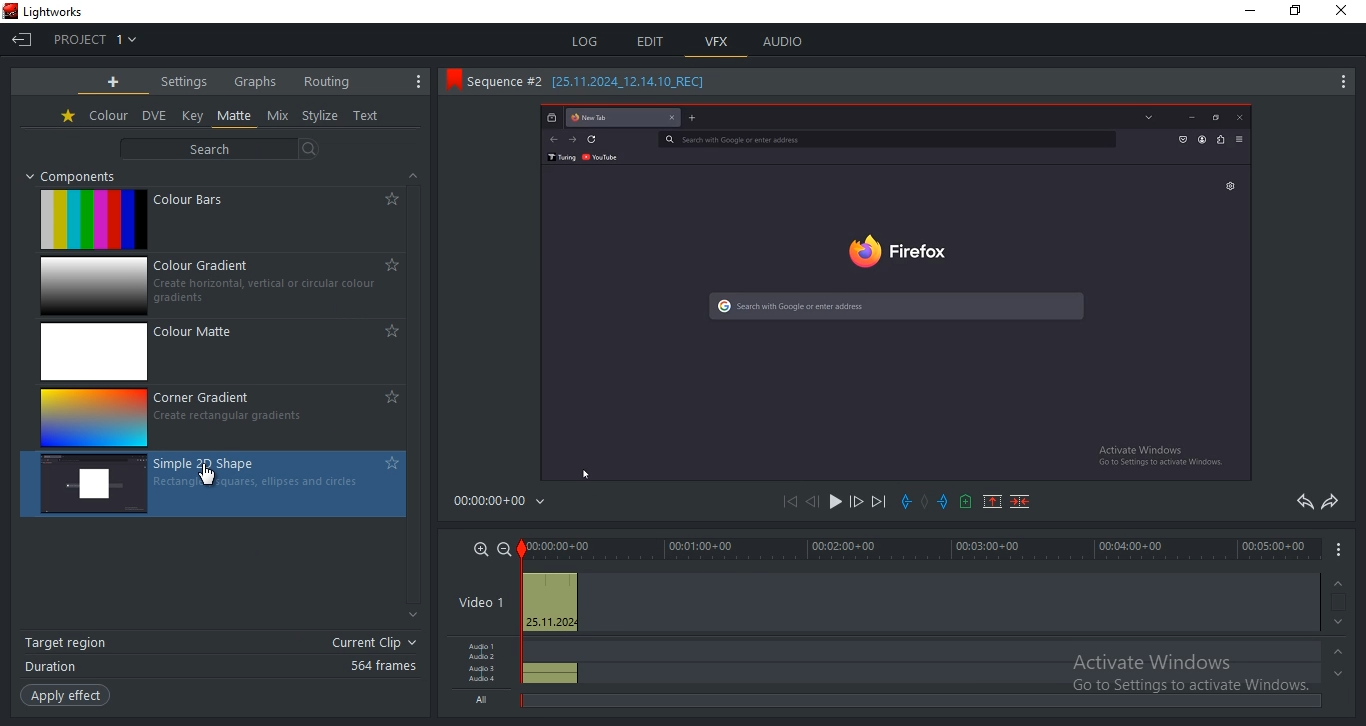 The image size is (1366, 726). Describe the element at coordinates (214, 484) in the screenshot. I see `simple 2d shape` at that location.